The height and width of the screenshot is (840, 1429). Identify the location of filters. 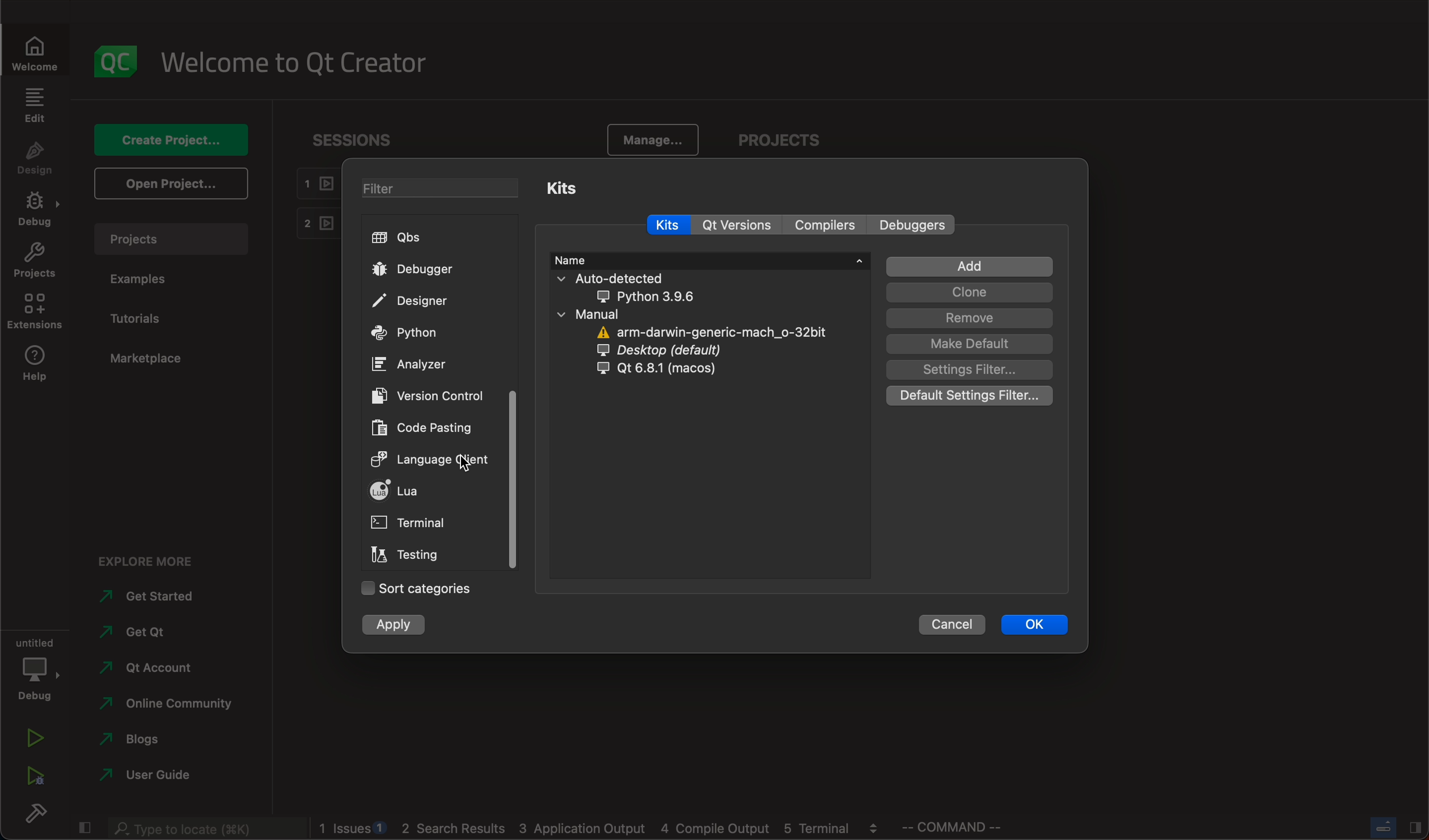
(441, 188).